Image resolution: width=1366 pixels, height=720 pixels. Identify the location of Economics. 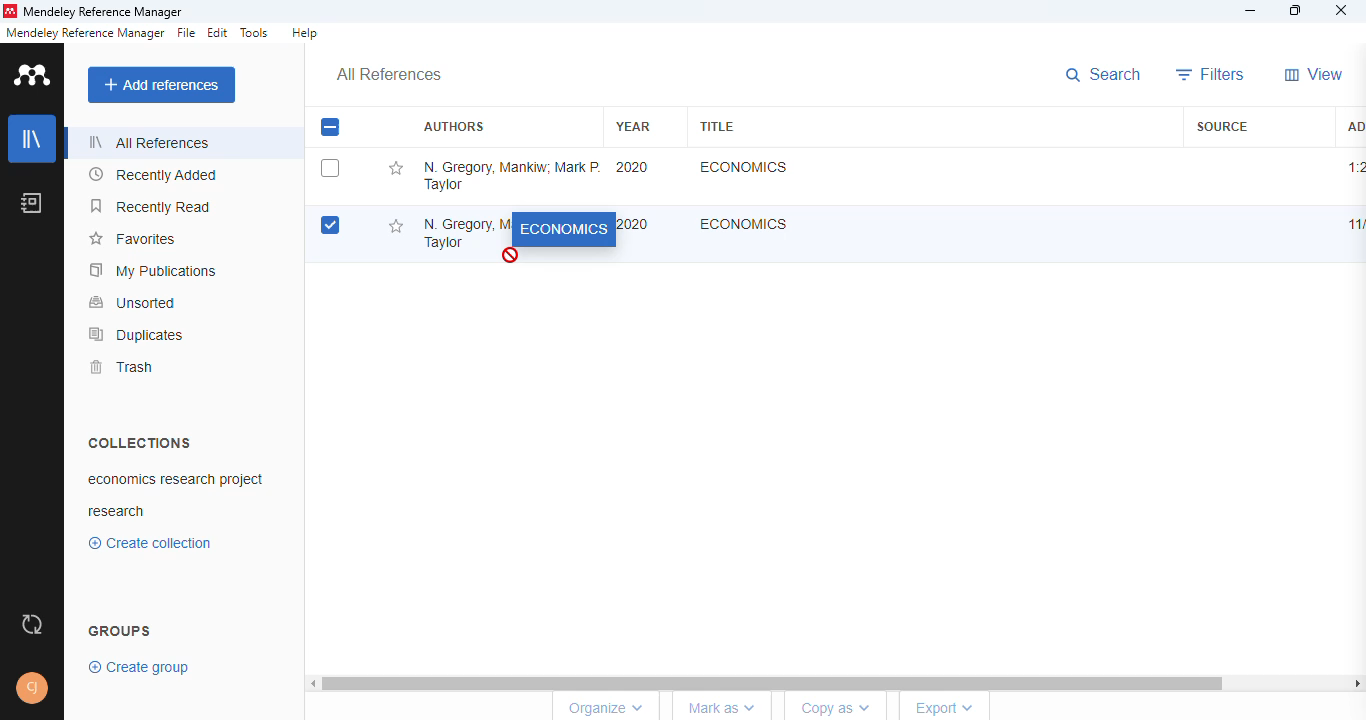
(744, 223).